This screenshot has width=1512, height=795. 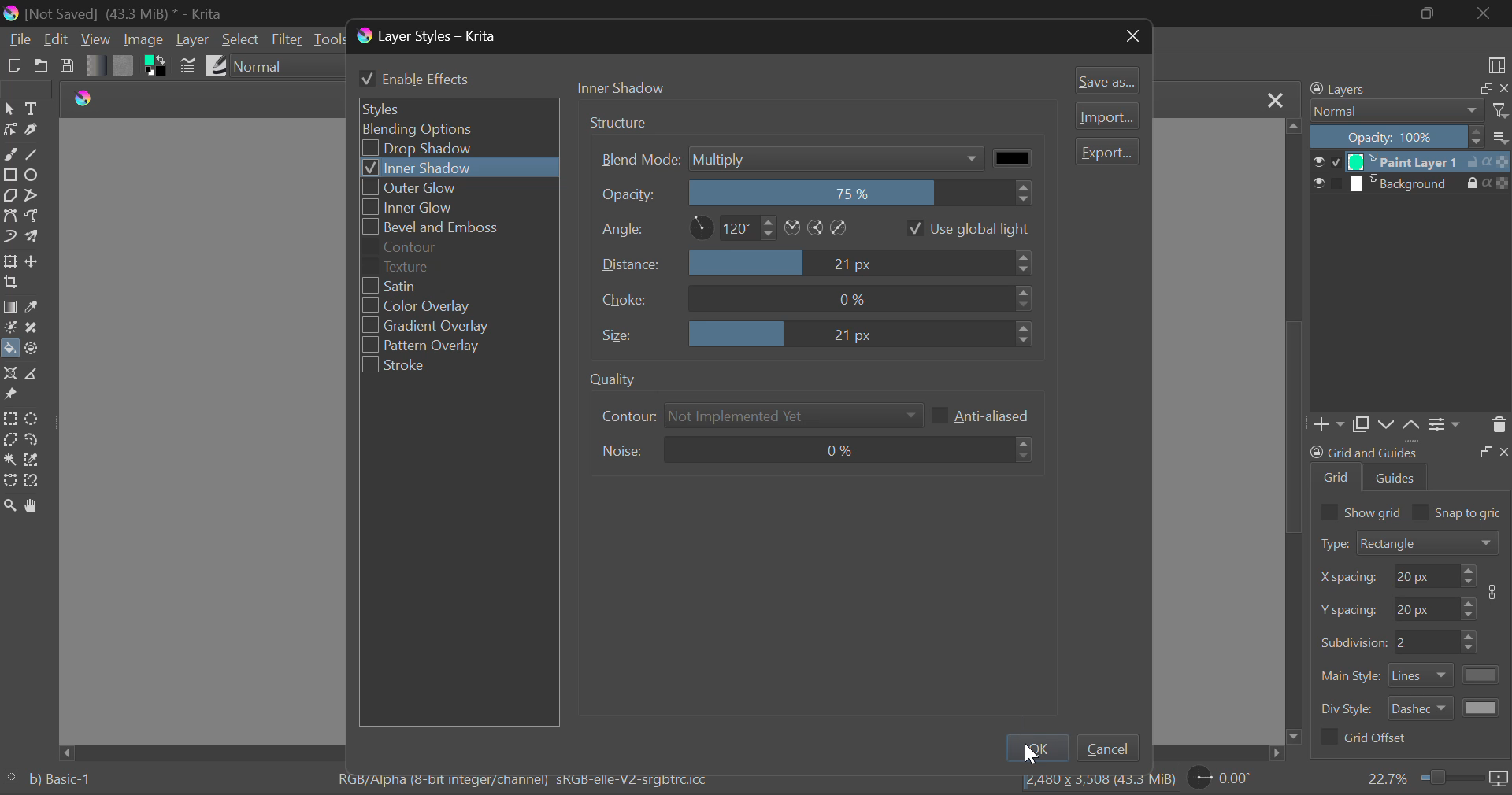 I want to click on Blending Modes, so click(x=1409, y=112).